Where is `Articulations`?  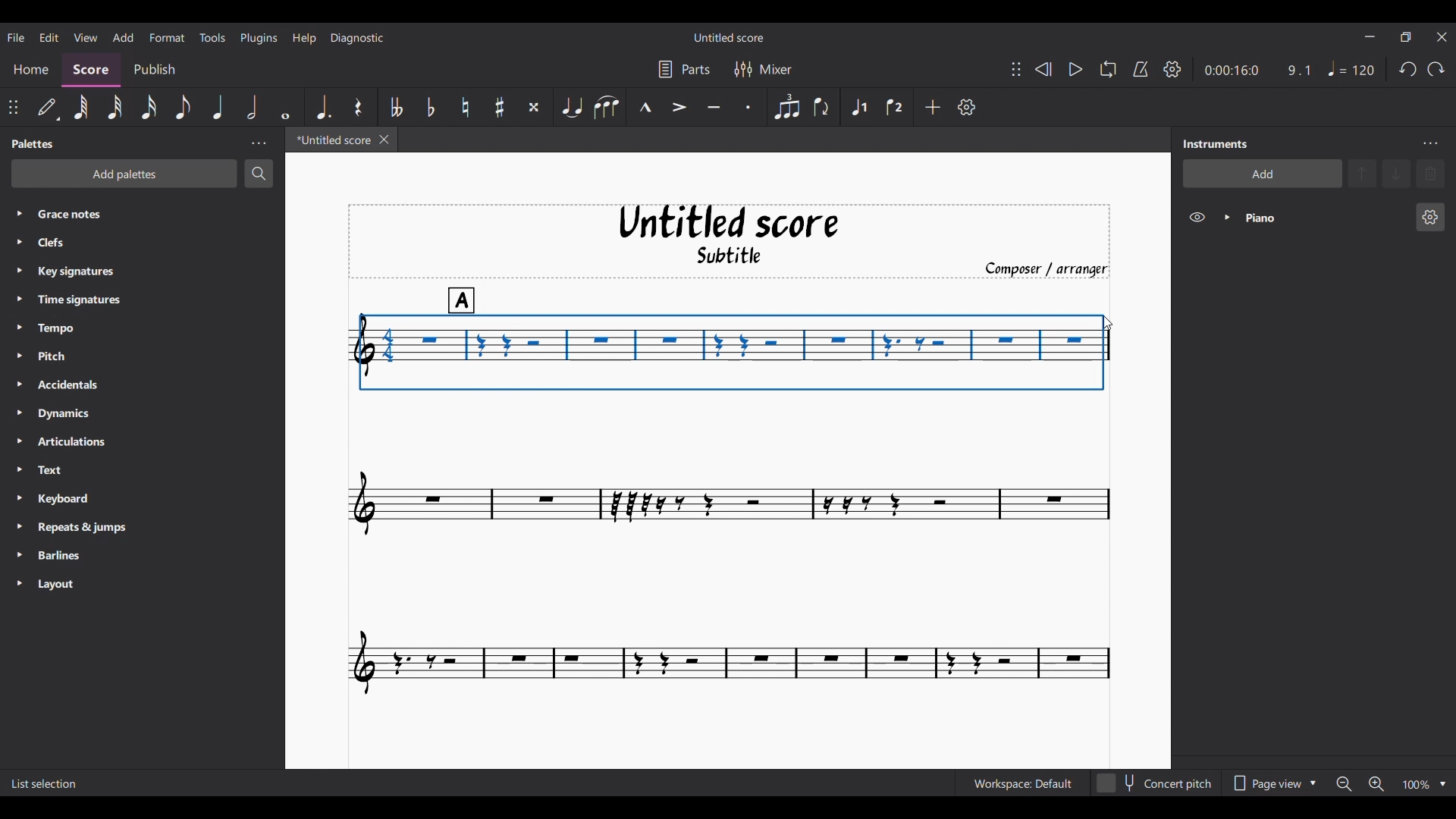
Articulations is located at coordinates (85, 442).